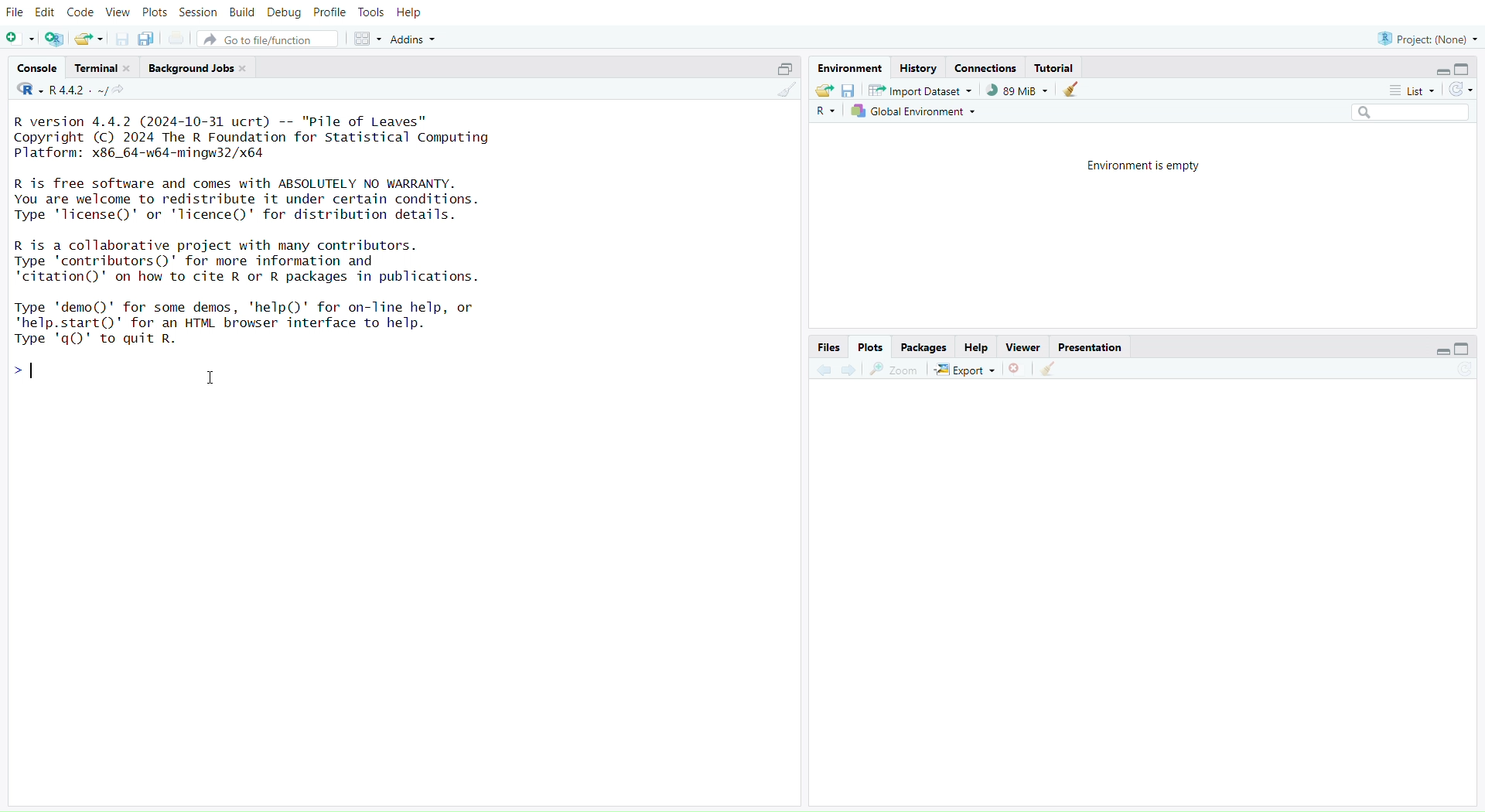  Describe the element at coordinates (117, 12) in the screenshot. I see `View` at that location.